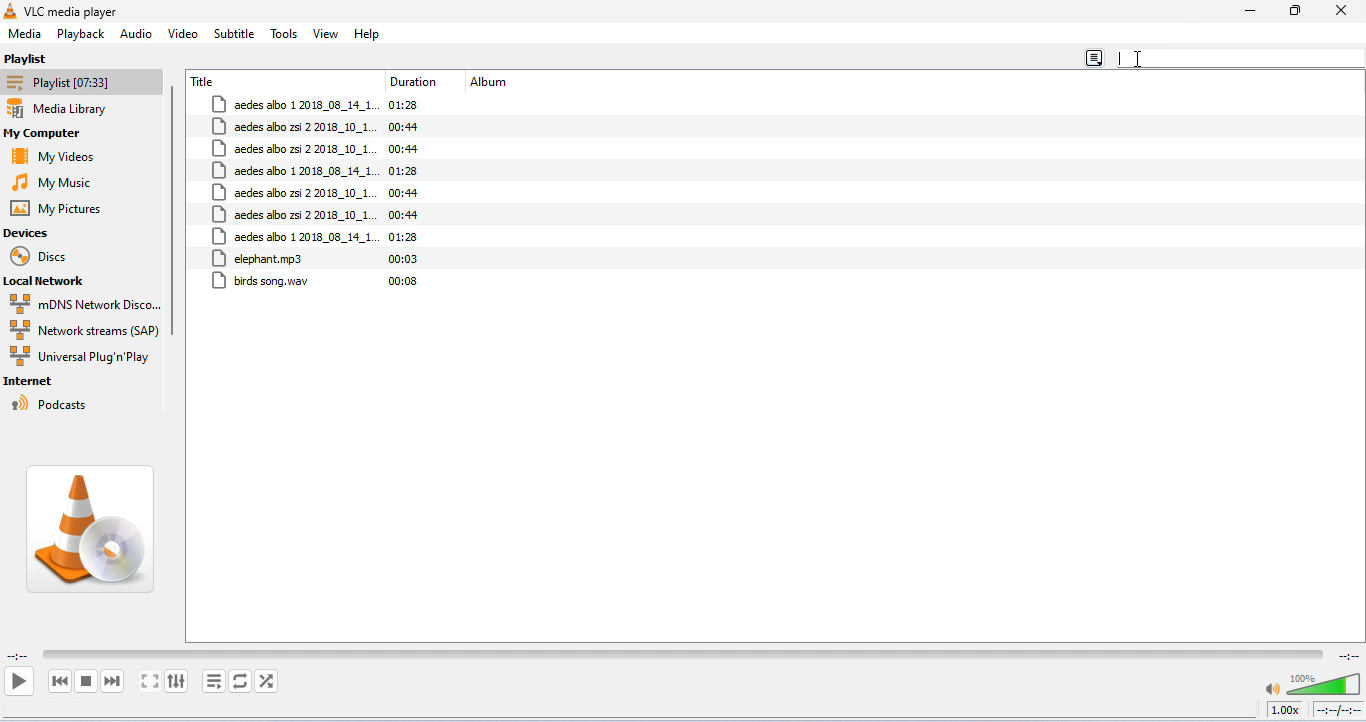  I want to click on 00:44, so click(404, 126).